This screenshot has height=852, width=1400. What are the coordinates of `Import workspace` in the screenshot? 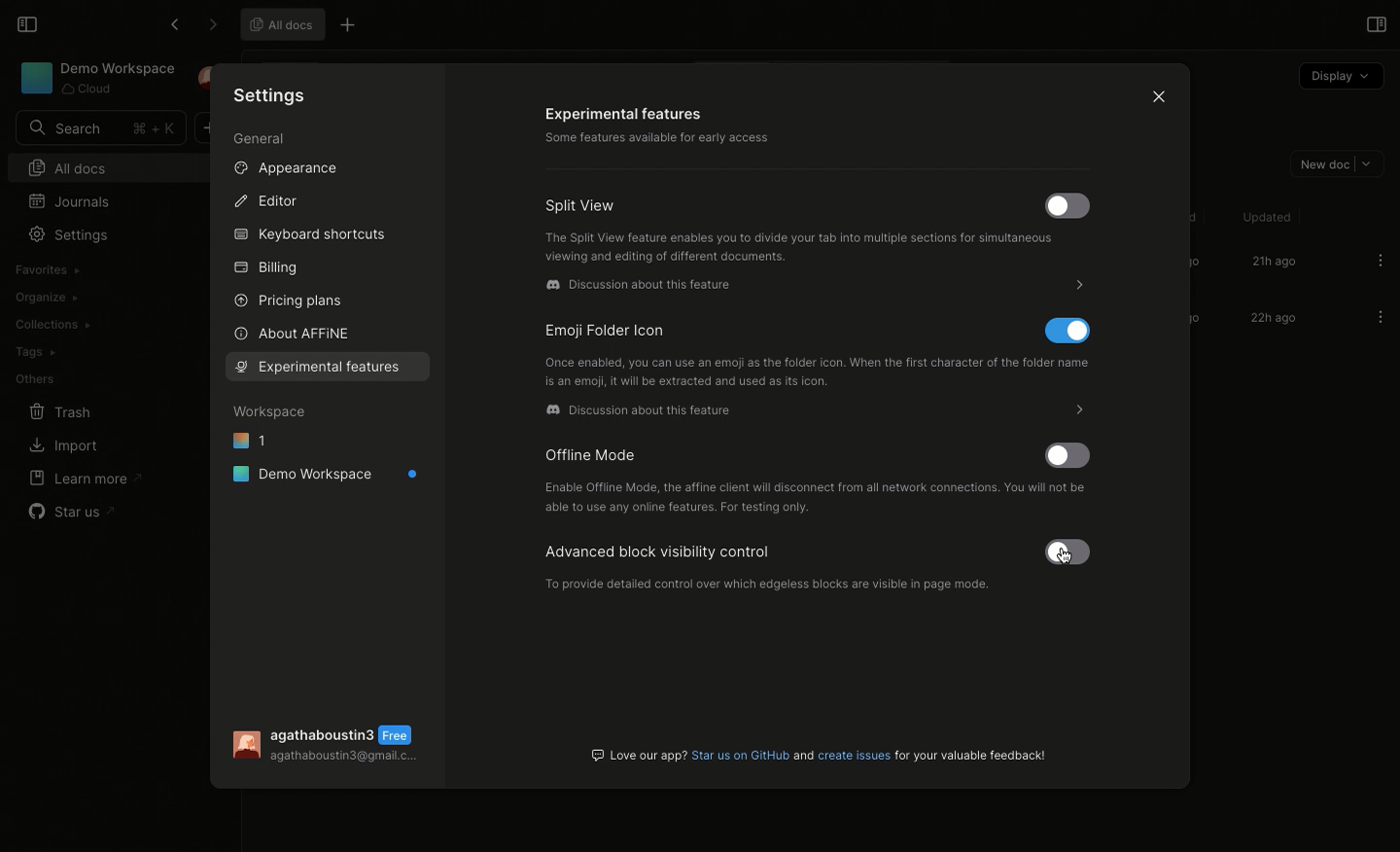 It's located at (91, 268).